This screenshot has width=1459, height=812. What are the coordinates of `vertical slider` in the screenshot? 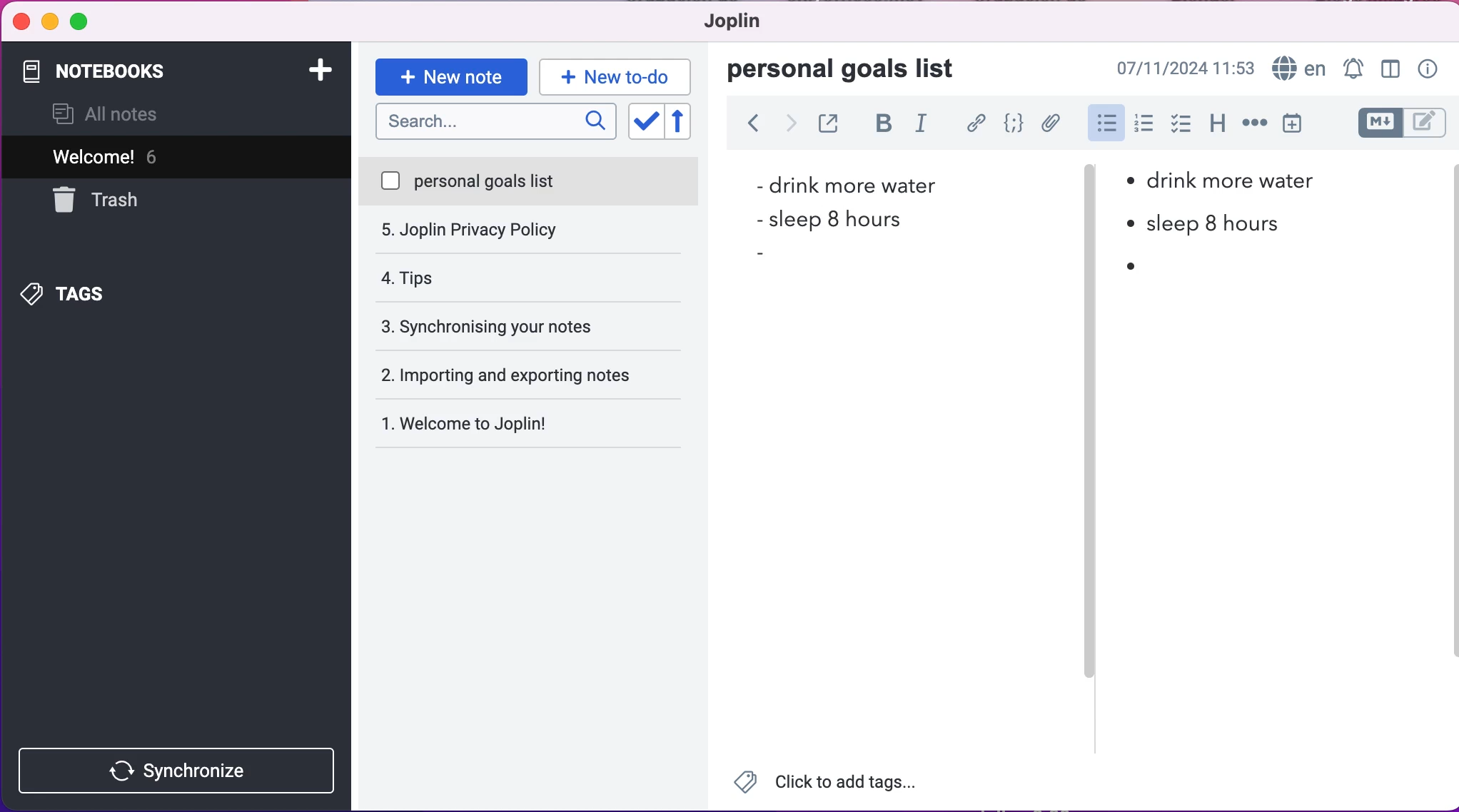 It's located at (1089, 214).